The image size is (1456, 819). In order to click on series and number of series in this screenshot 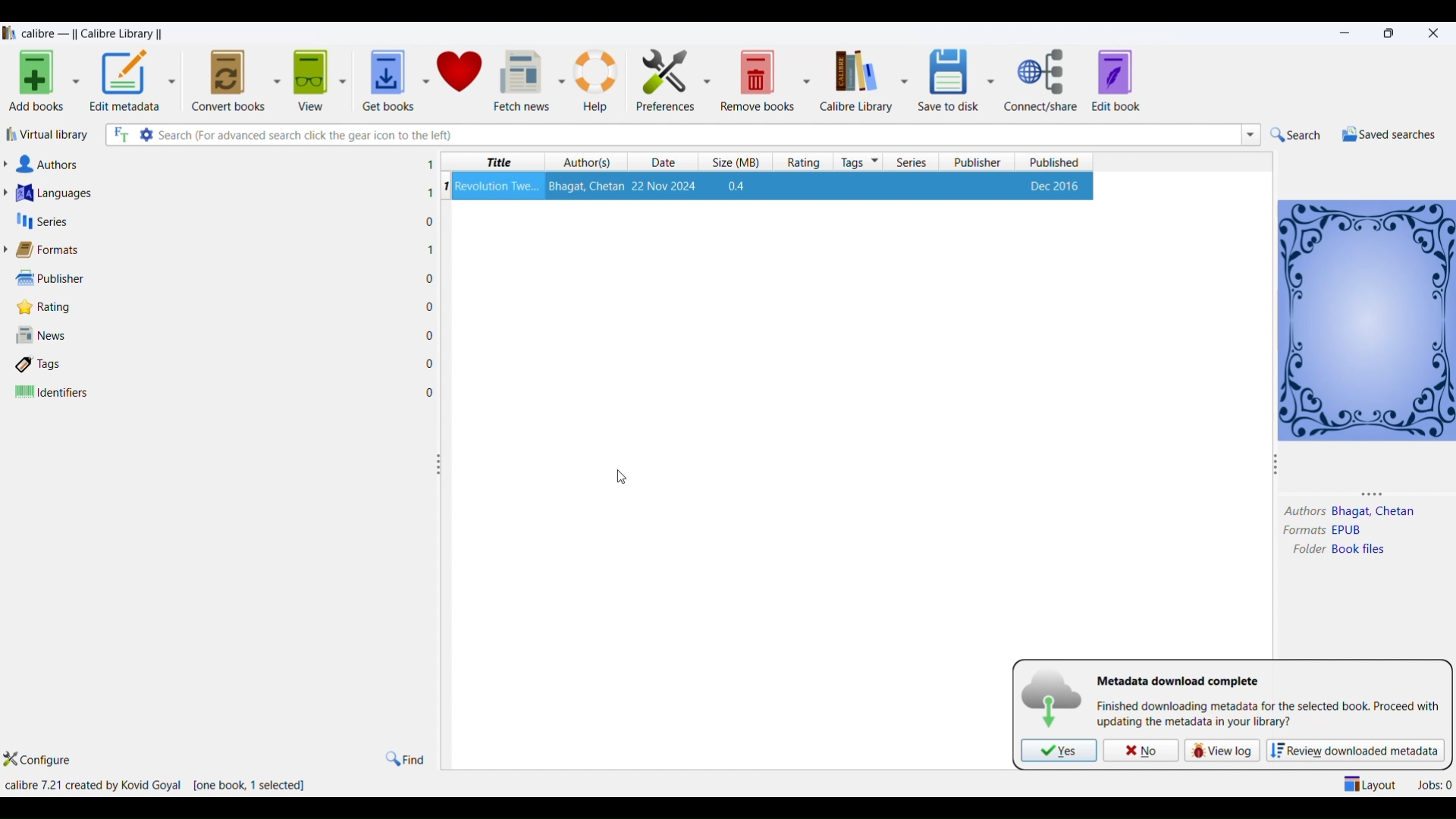, I will do `click(42, 221)`.